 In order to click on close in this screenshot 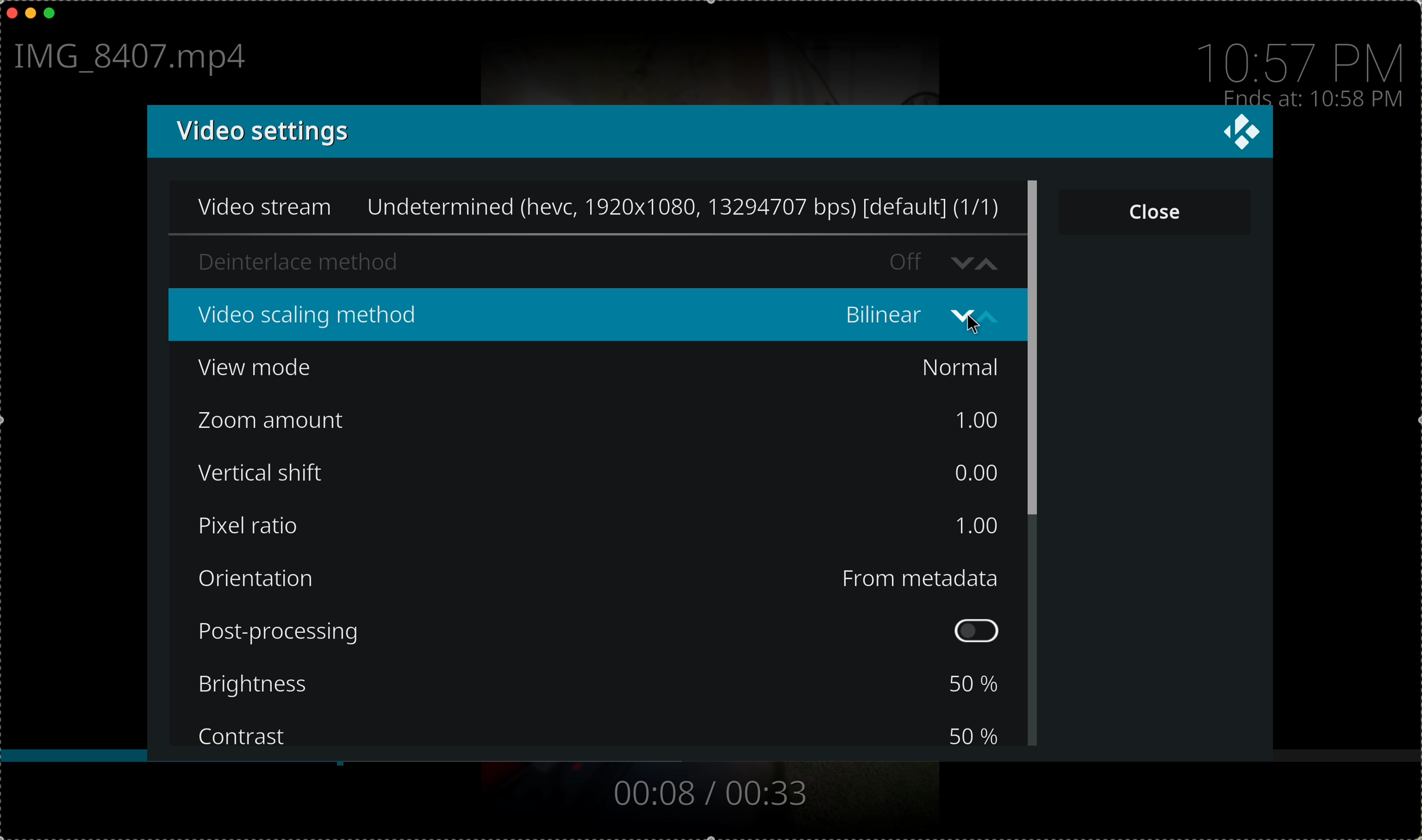, I will do `click(1155, 209)`.